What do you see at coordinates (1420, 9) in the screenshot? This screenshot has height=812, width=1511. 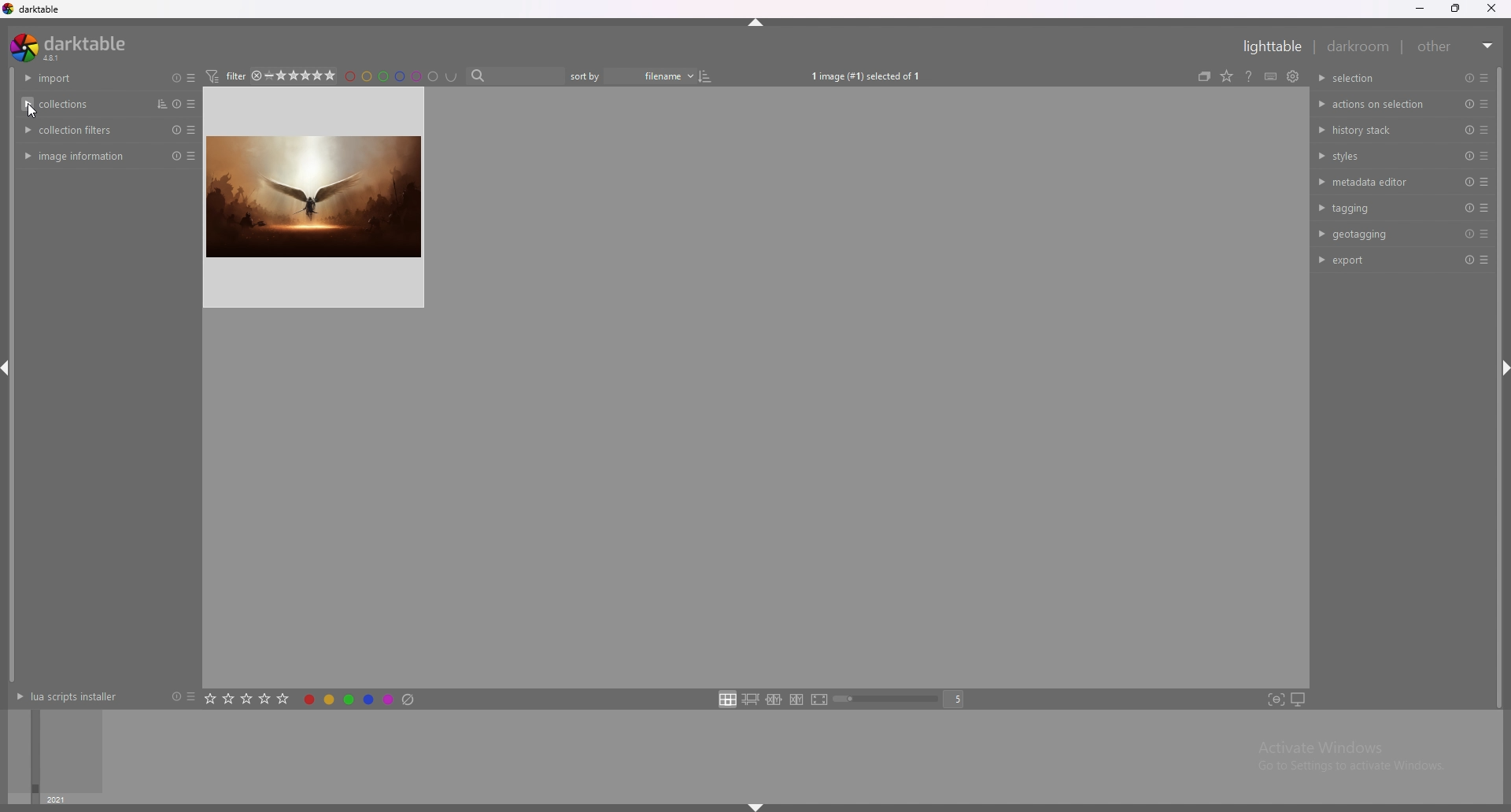 I see `minimize` at bounding box center [1420, 9].